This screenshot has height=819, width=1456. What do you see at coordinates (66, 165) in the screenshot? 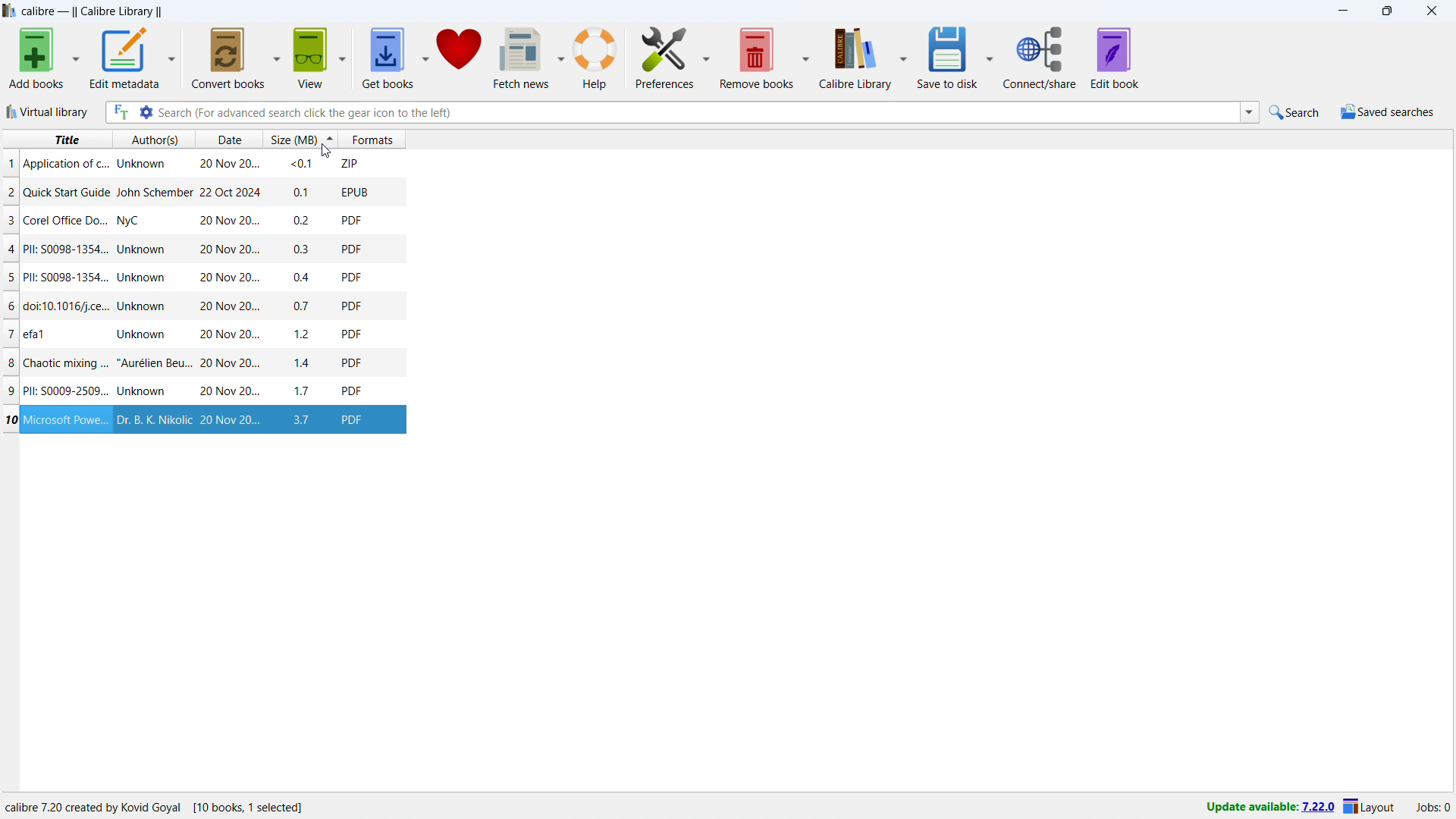
I see `title` at bounding box center [66, 165].